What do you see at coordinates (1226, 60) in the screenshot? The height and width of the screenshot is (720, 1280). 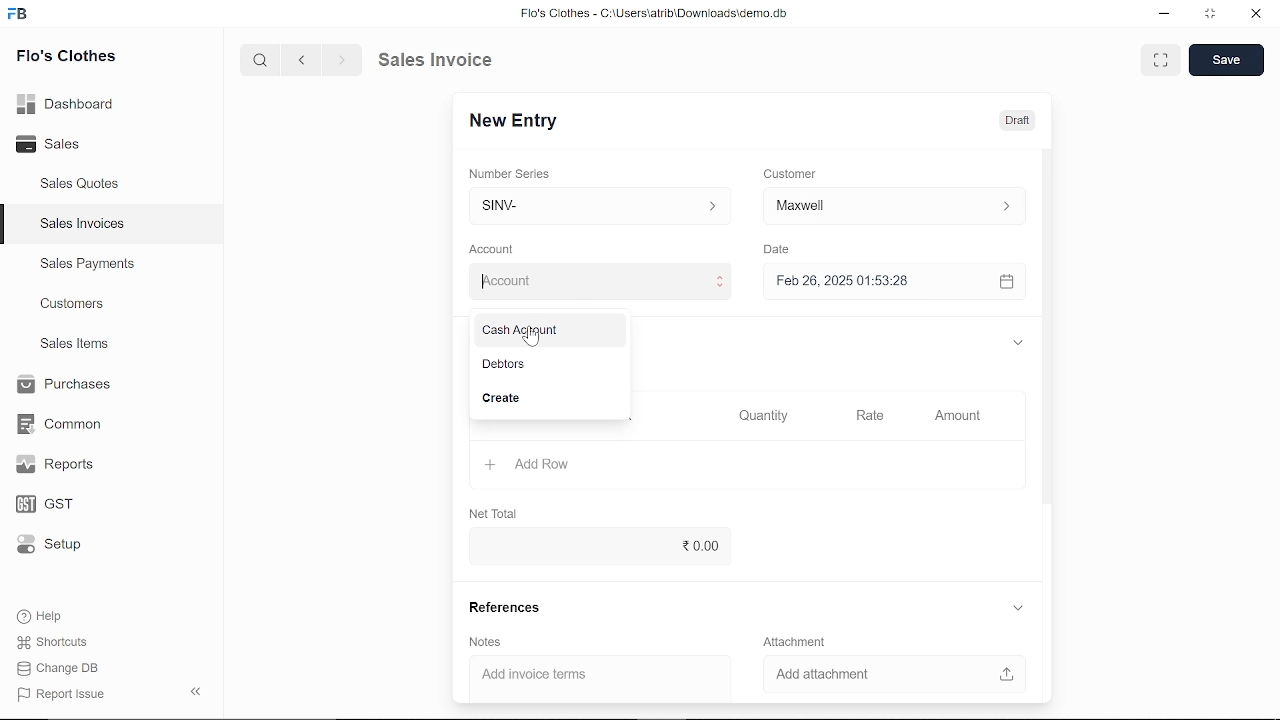 I see `save` at bounding box center [1226, 60].